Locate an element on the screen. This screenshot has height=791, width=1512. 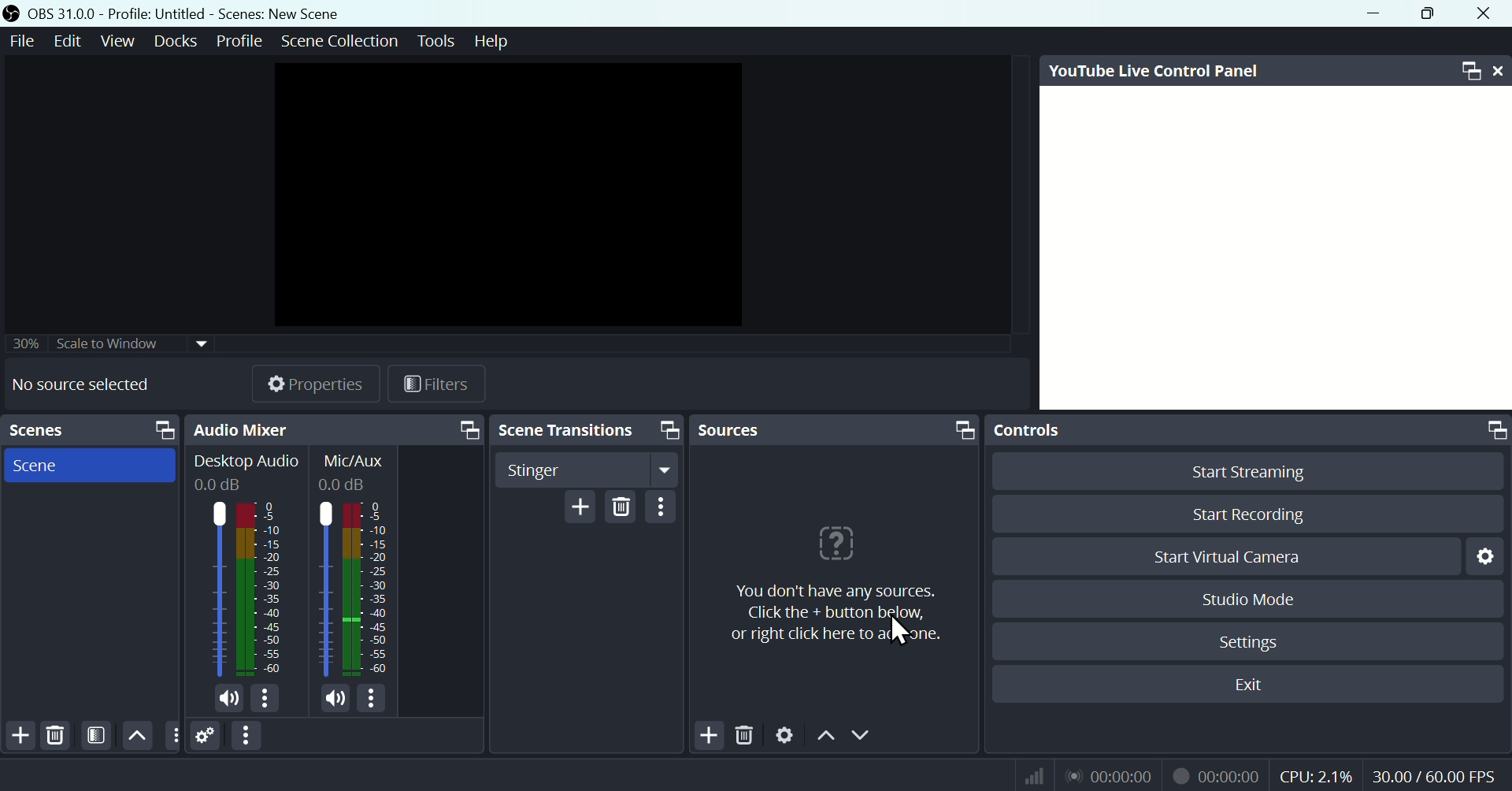
icon is located at coordinates (13, 14).